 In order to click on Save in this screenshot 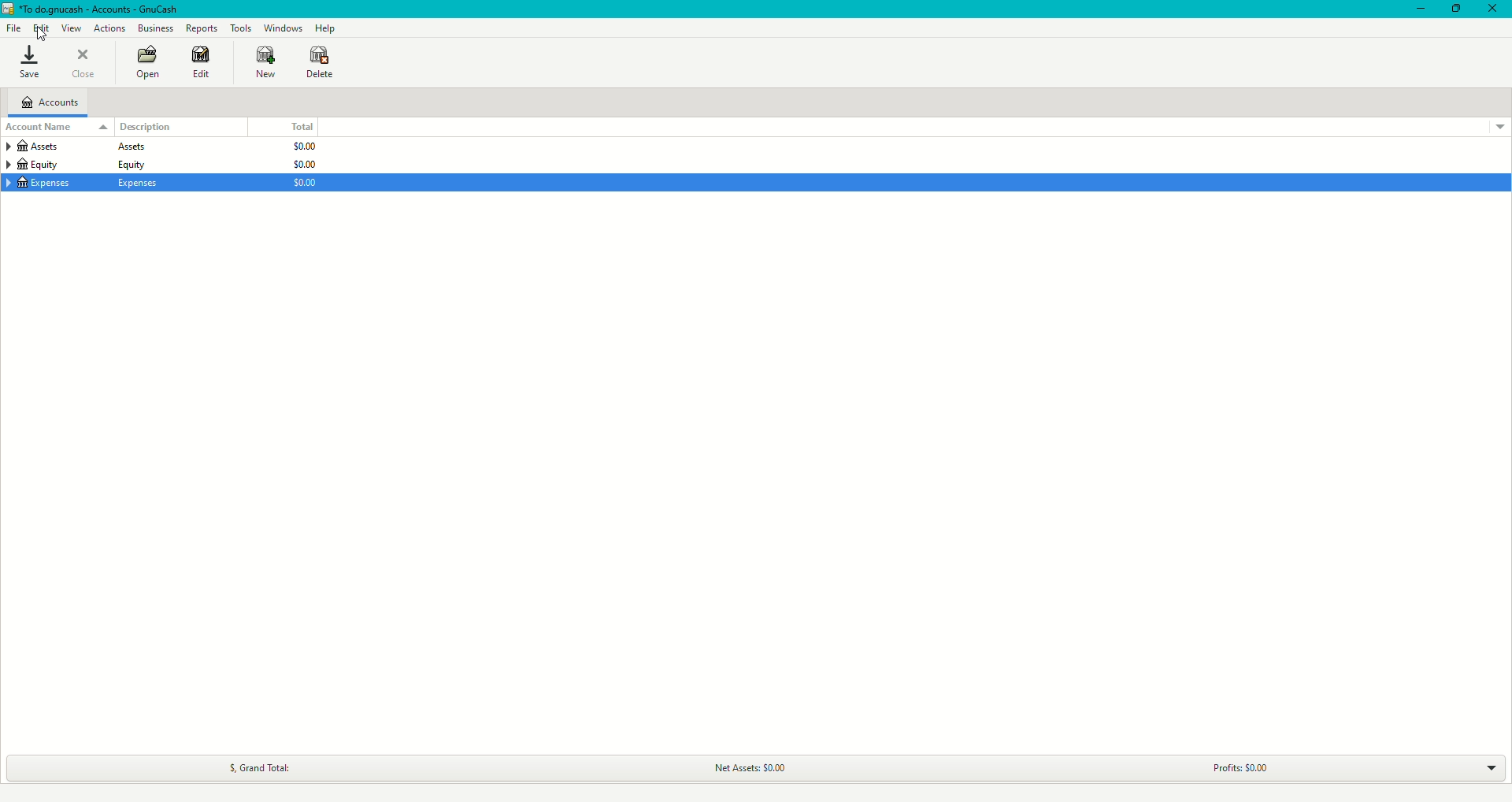, I will do `click(30, 61)`.